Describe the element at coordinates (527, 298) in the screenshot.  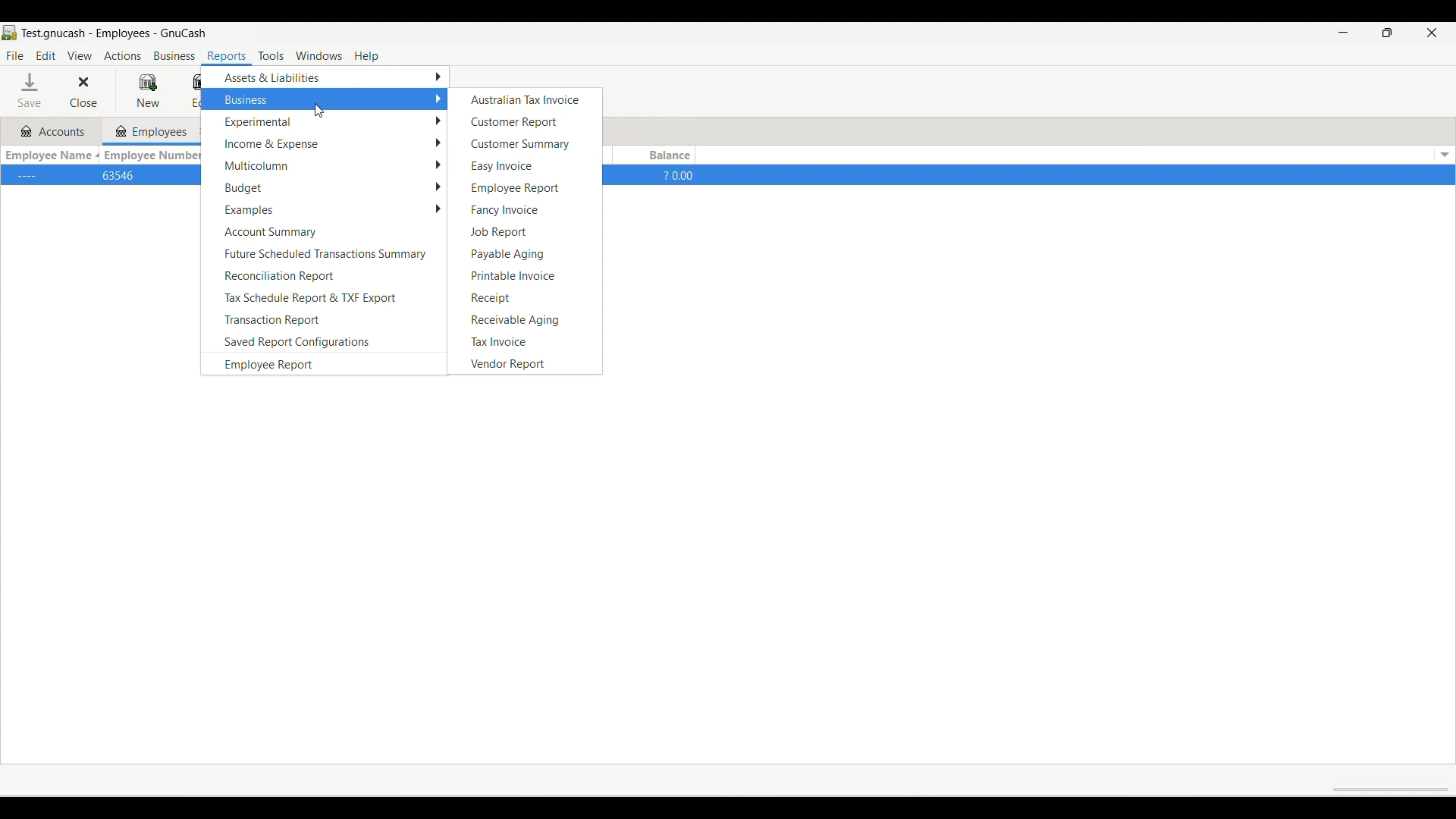
I see `Receipt` at that location.